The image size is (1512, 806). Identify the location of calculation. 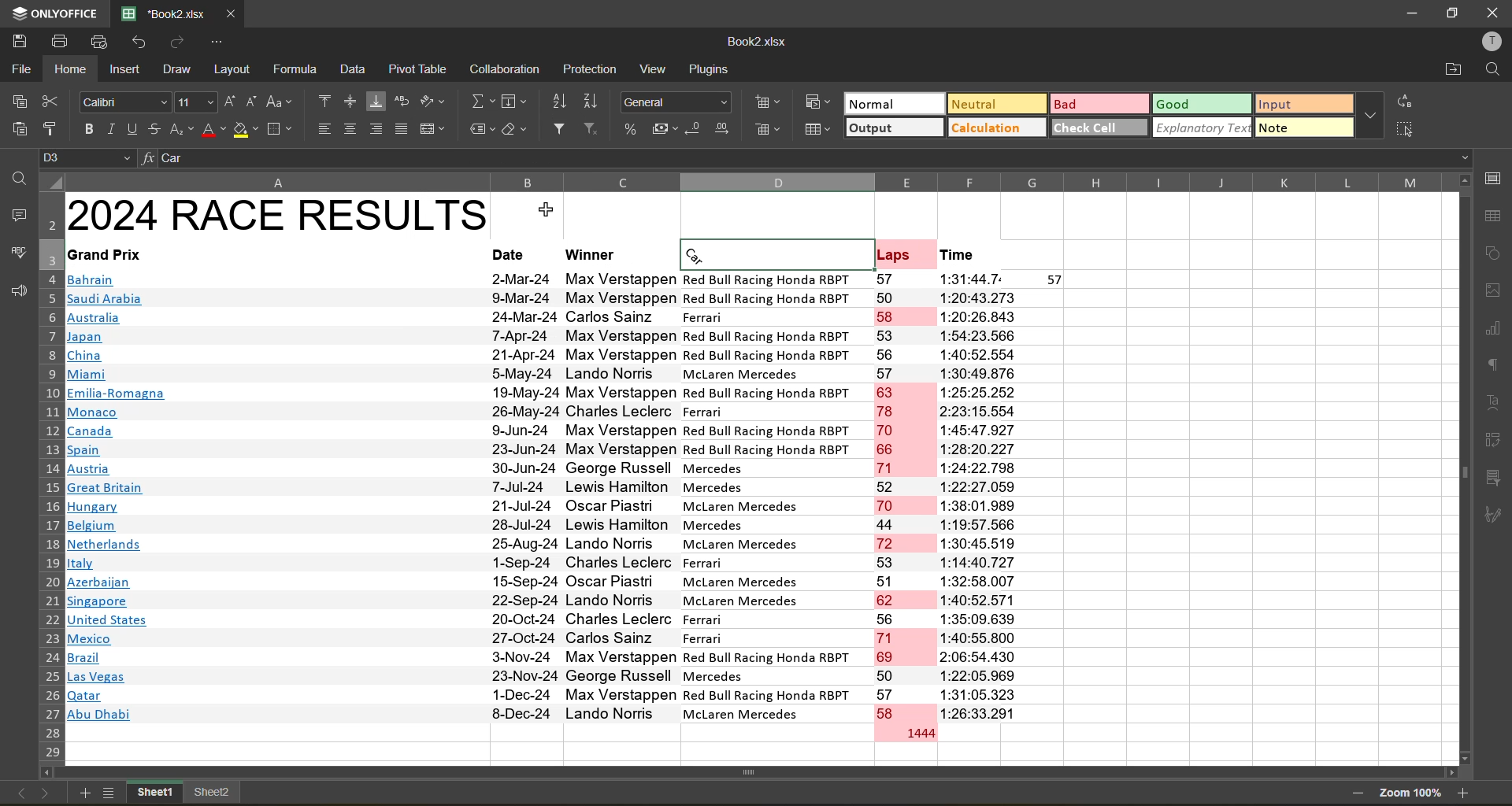
(506, 70).